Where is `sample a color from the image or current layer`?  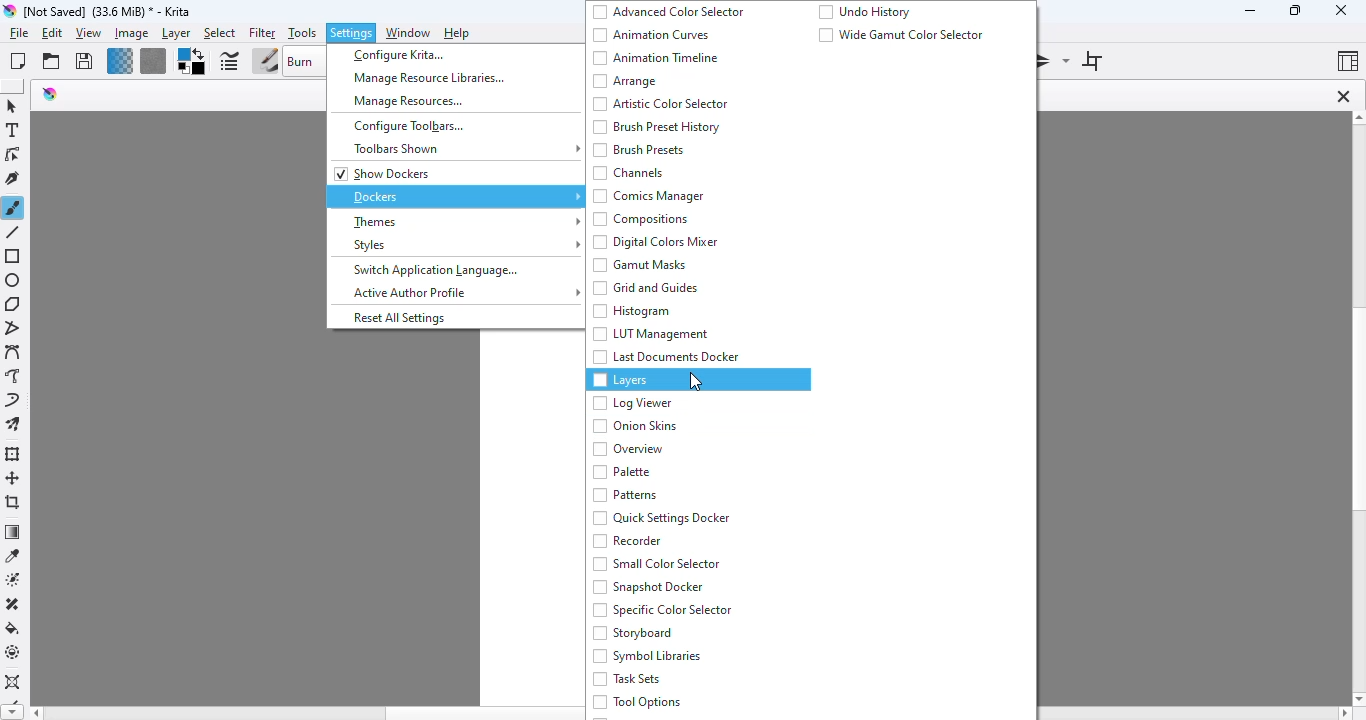 sample a color from the image or current layer is located at coordinates (13, 555).